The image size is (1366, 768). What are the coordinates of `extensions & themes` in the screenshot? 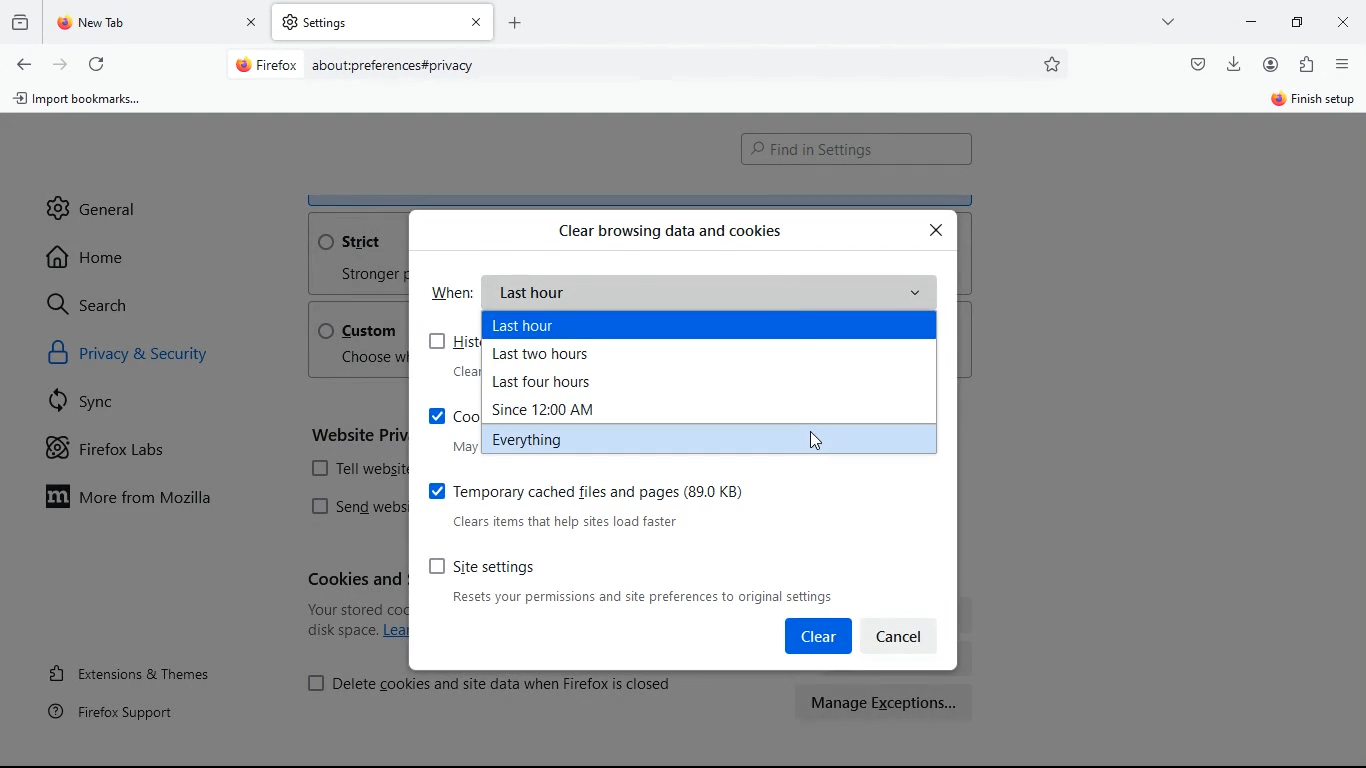 It's located at (147, 670).